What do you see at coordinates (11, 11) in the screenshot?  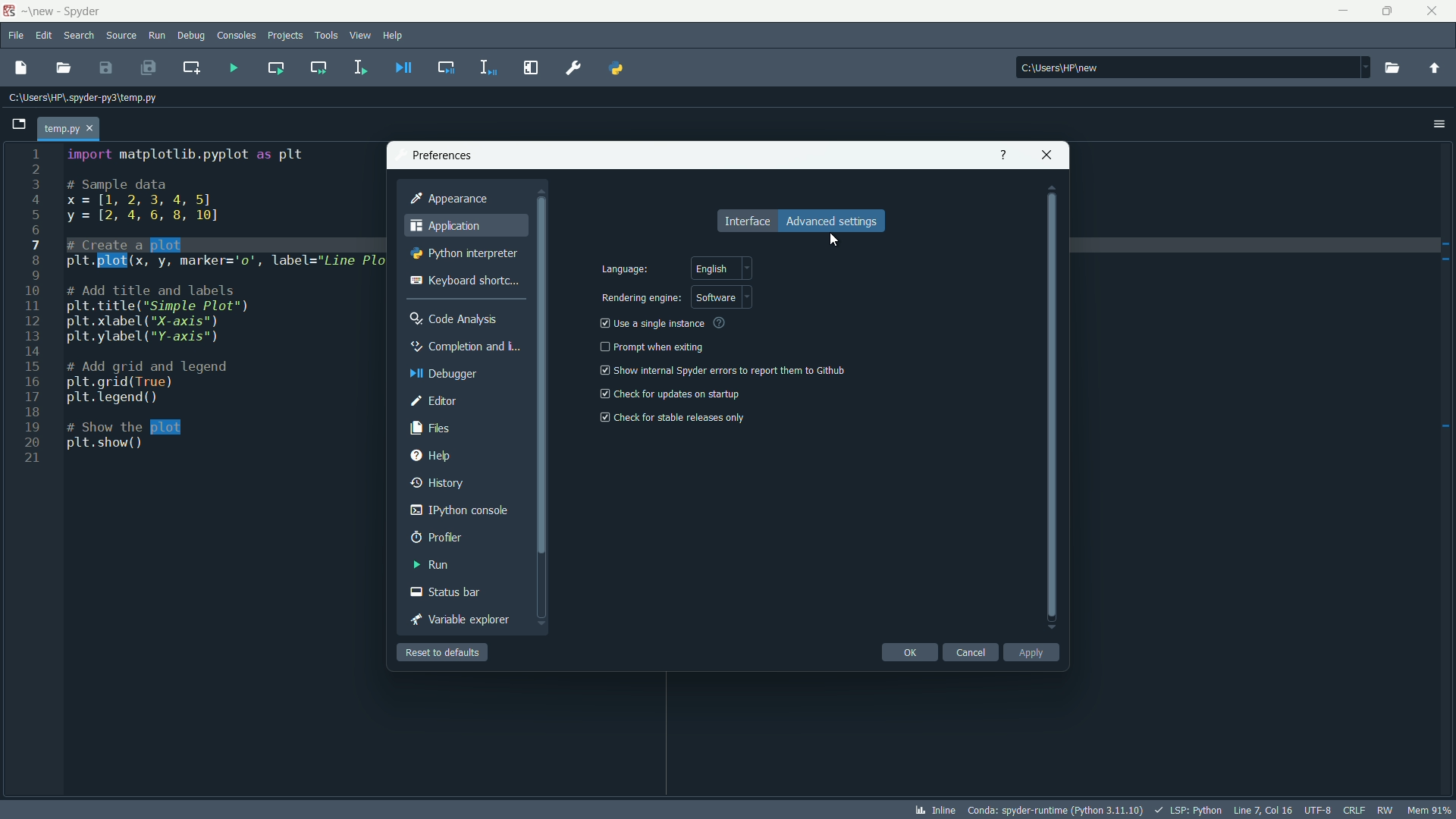 I see `app icon` at bounding box center [11, 11].